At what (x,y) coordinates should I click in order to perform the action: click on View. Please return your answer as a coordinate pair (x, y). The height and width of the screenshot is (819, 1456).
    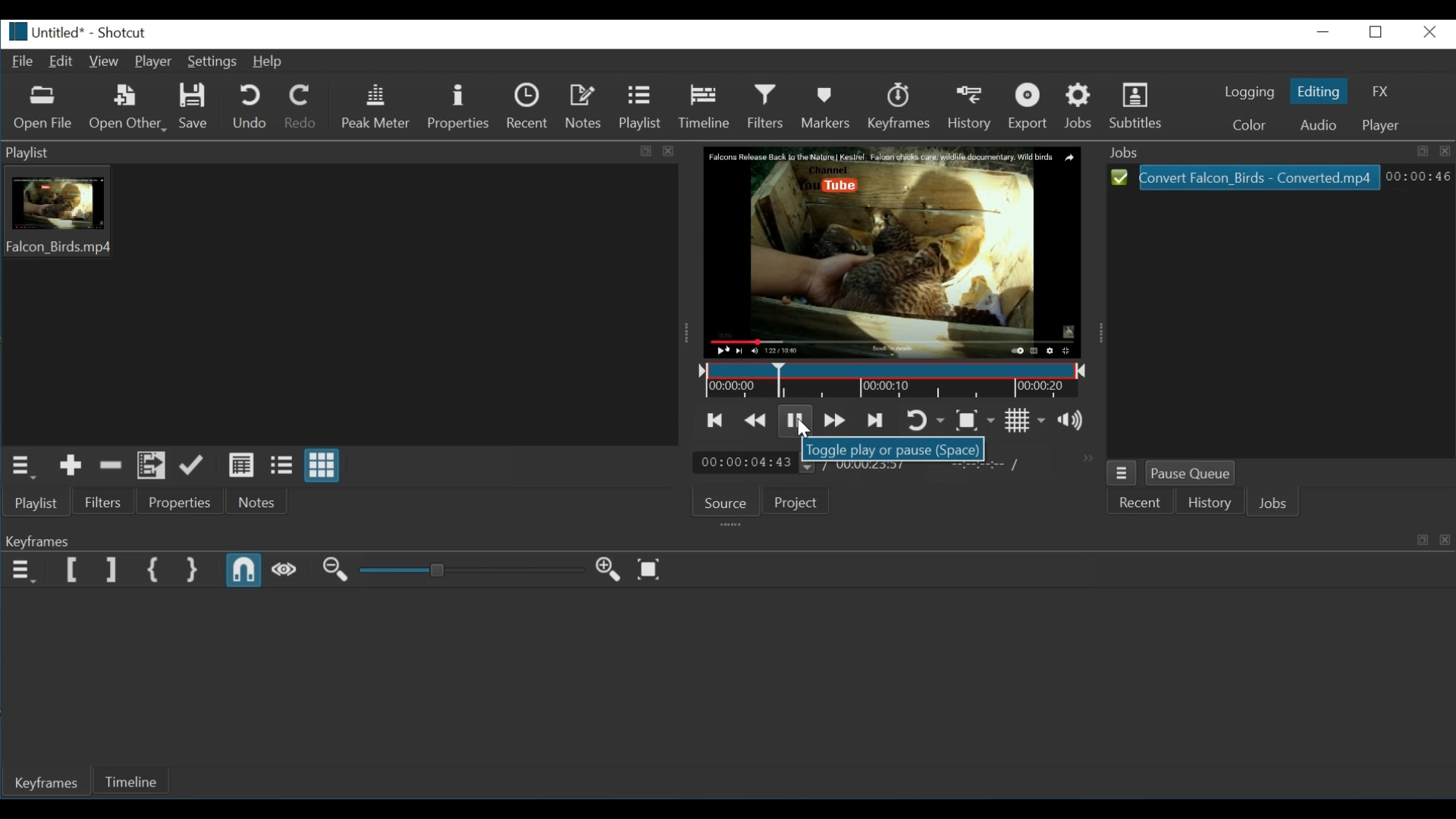
    Looking at the image, I should click on (104, 61).